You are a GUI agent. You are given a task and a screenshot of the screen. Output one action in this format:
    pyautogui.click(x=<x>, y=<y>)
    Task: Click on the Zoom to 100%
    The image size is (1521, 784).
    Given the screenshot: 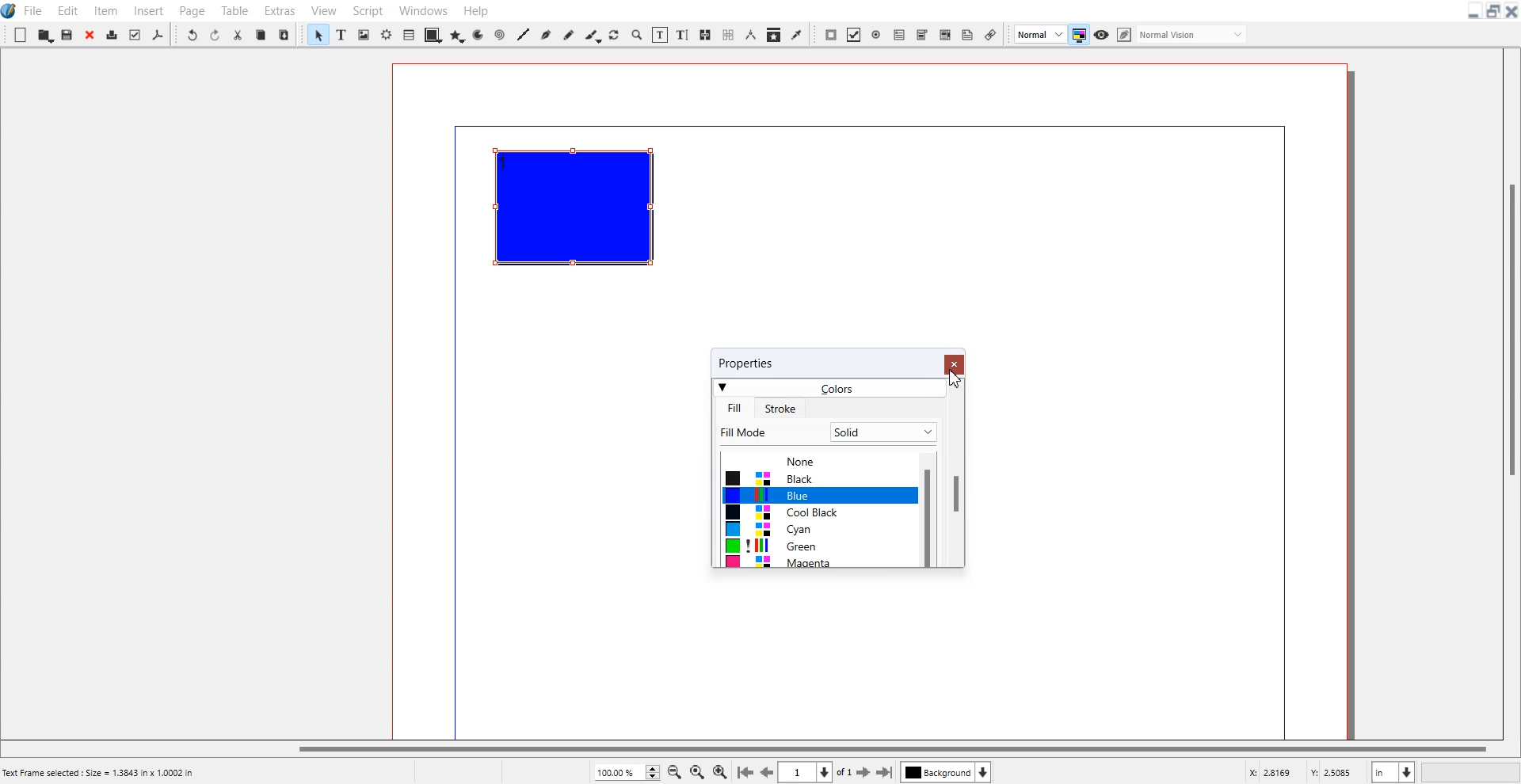 What is the action you would take?
    pyautogui.click(x=696, y=771)
    